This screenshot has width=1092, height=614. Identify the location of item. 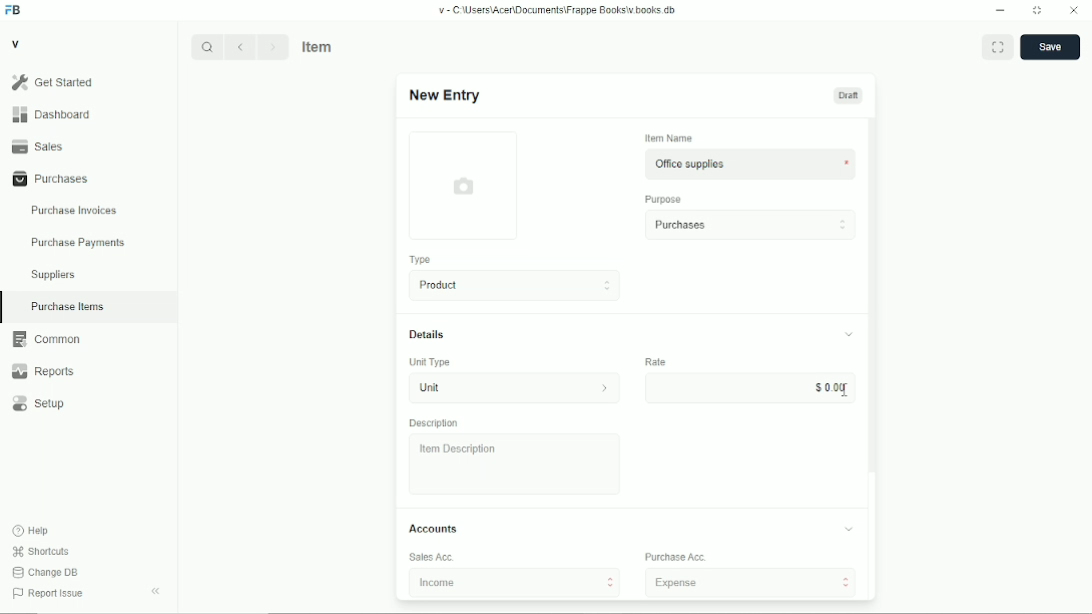
(319, 46).